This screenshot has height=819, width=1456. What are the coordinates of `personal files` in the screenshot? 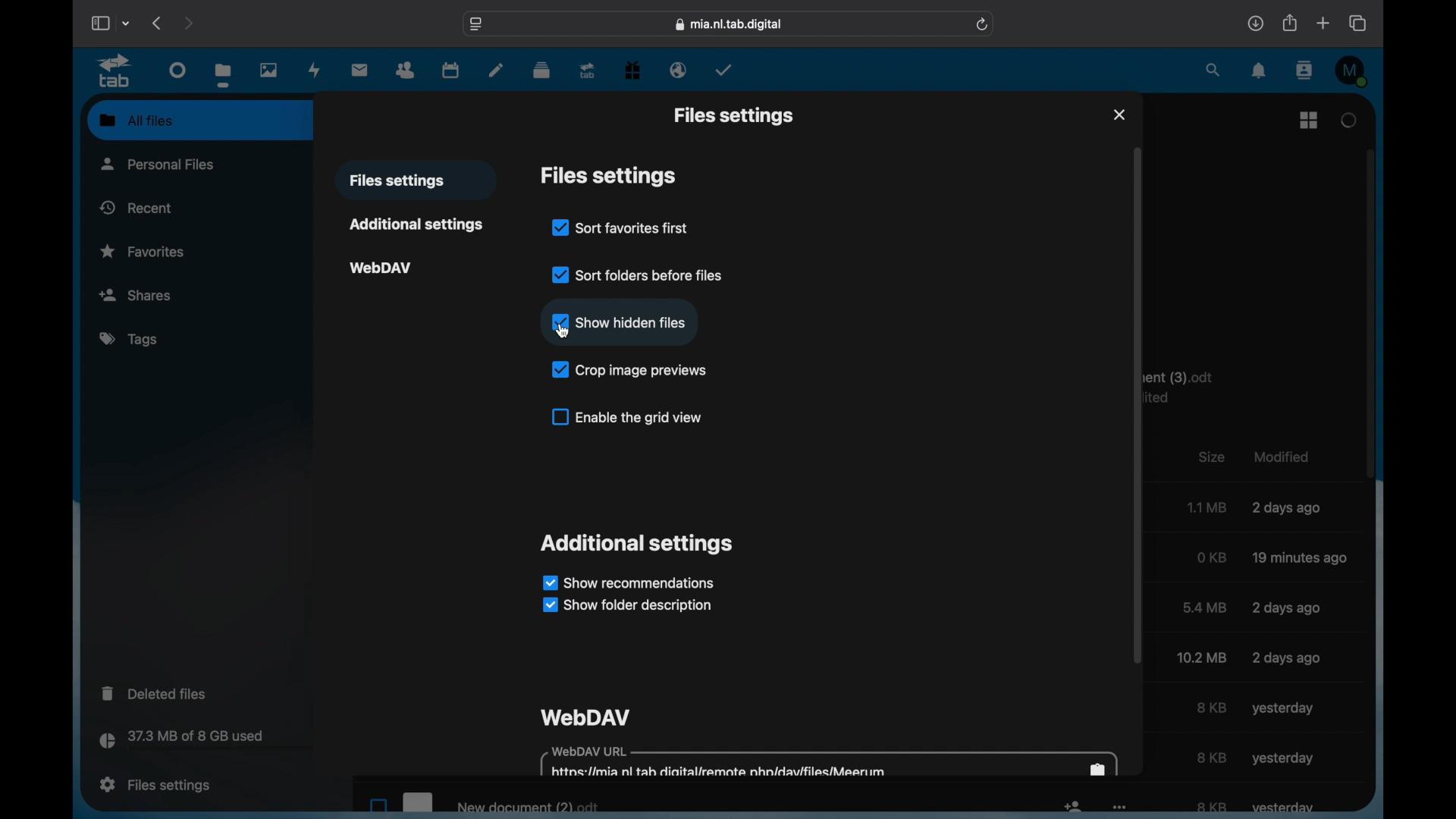 It's located at (158, 163).